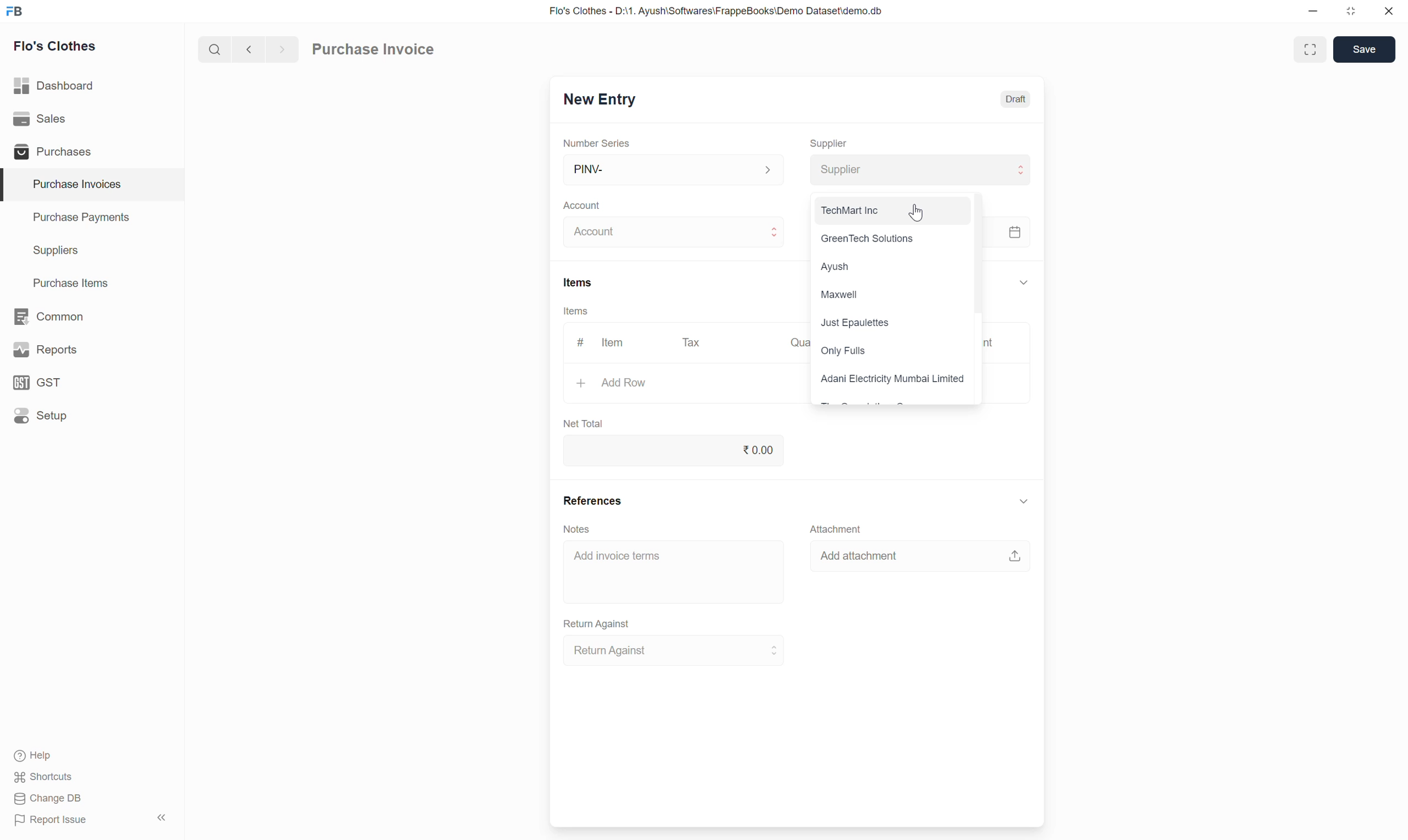  I want to click on Change DB, so click(49, 798).